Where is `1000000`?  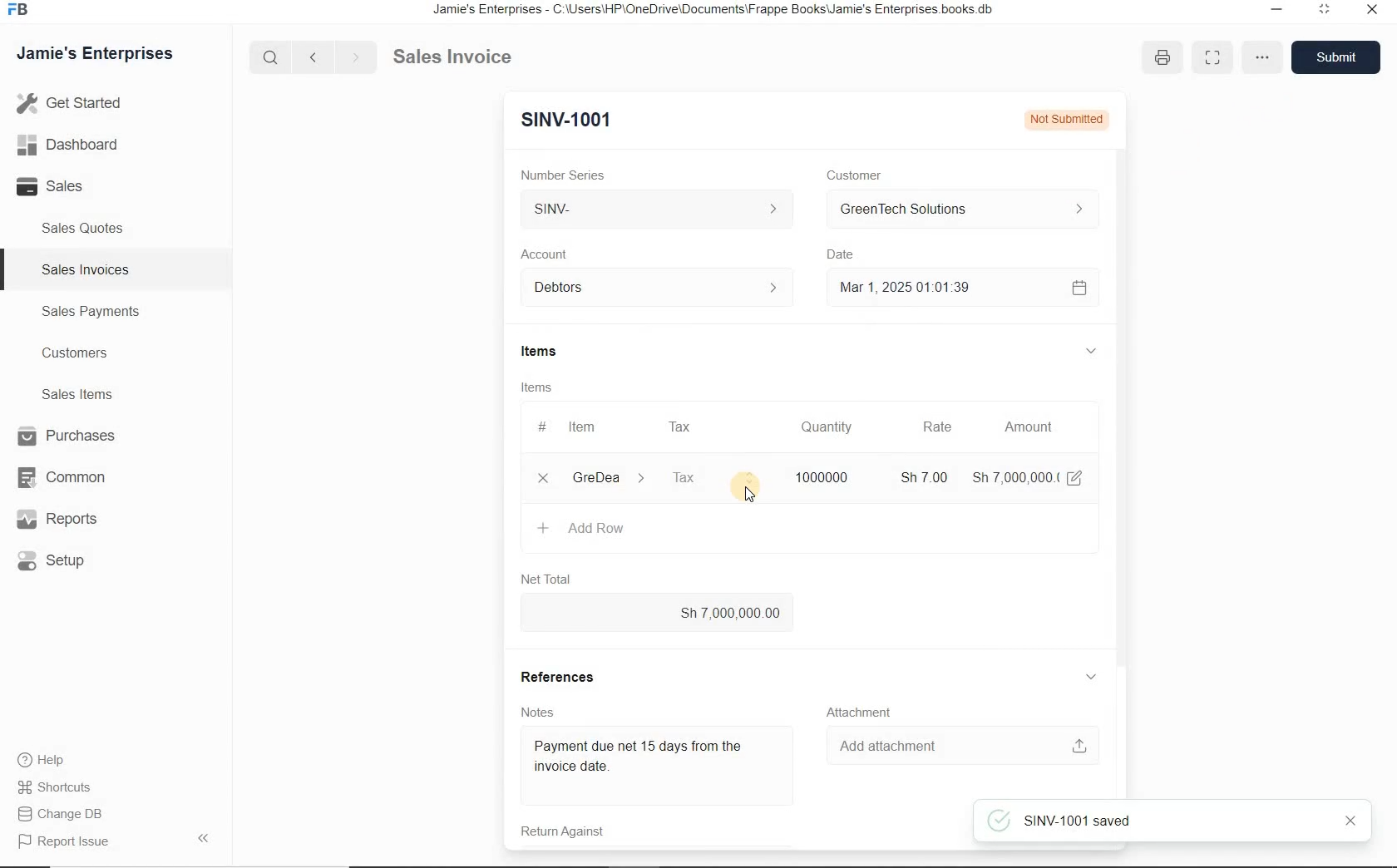 1000000 is located at coordinates (819, 476).